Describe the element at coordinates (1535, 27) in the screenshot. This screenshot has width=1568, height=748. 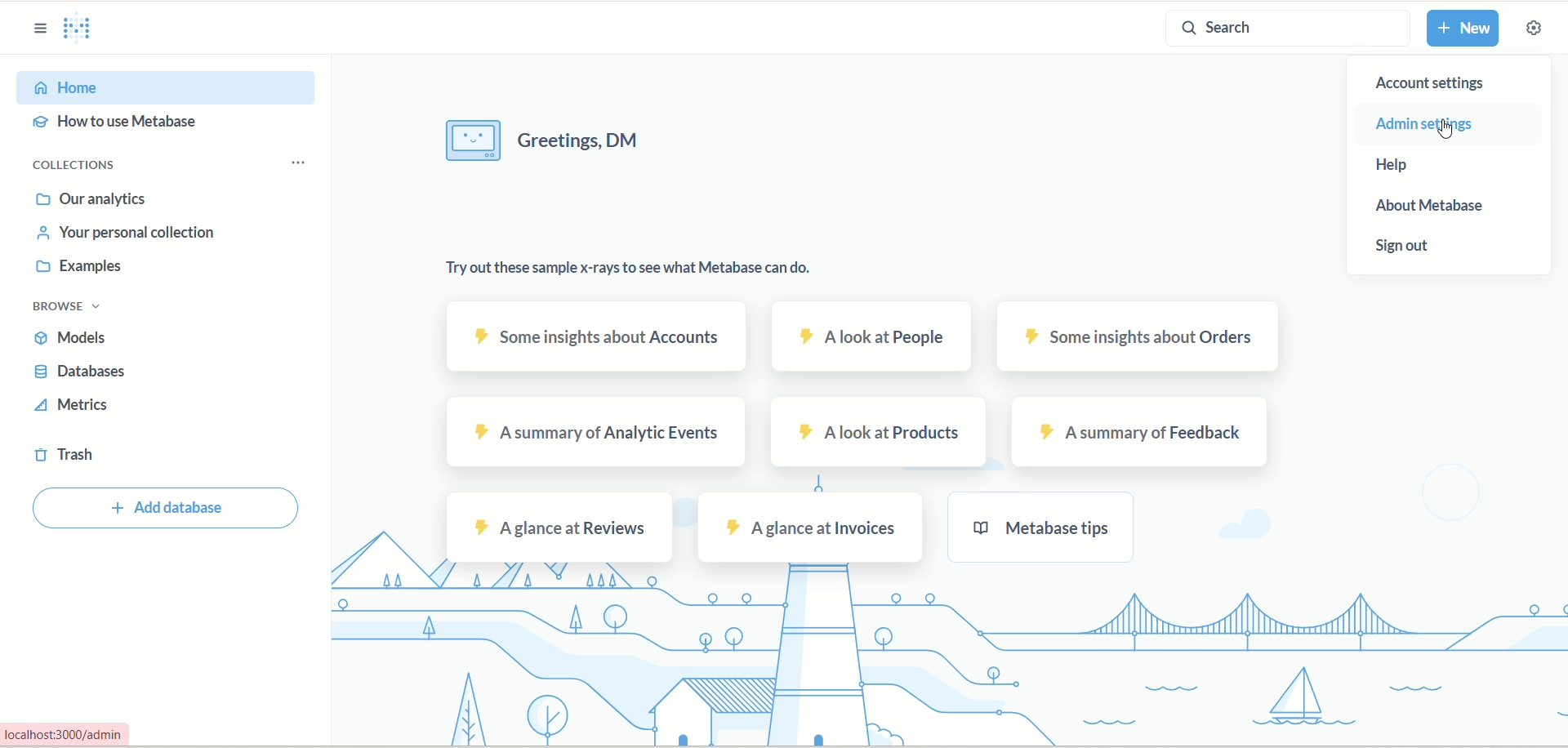
I see `settings` at that location.